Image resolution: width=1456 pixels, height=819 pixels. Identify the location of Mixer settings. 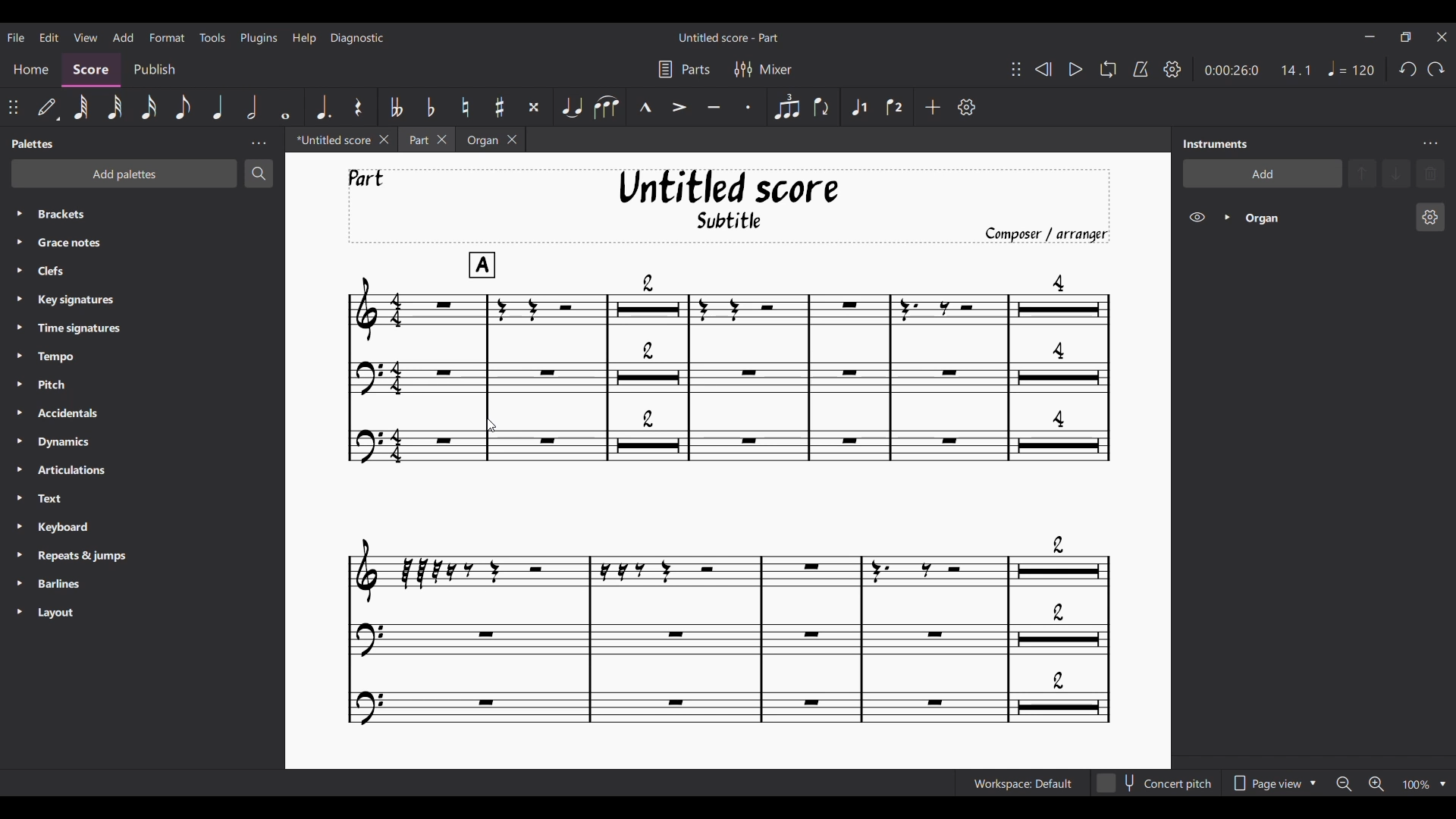
(763, 70).